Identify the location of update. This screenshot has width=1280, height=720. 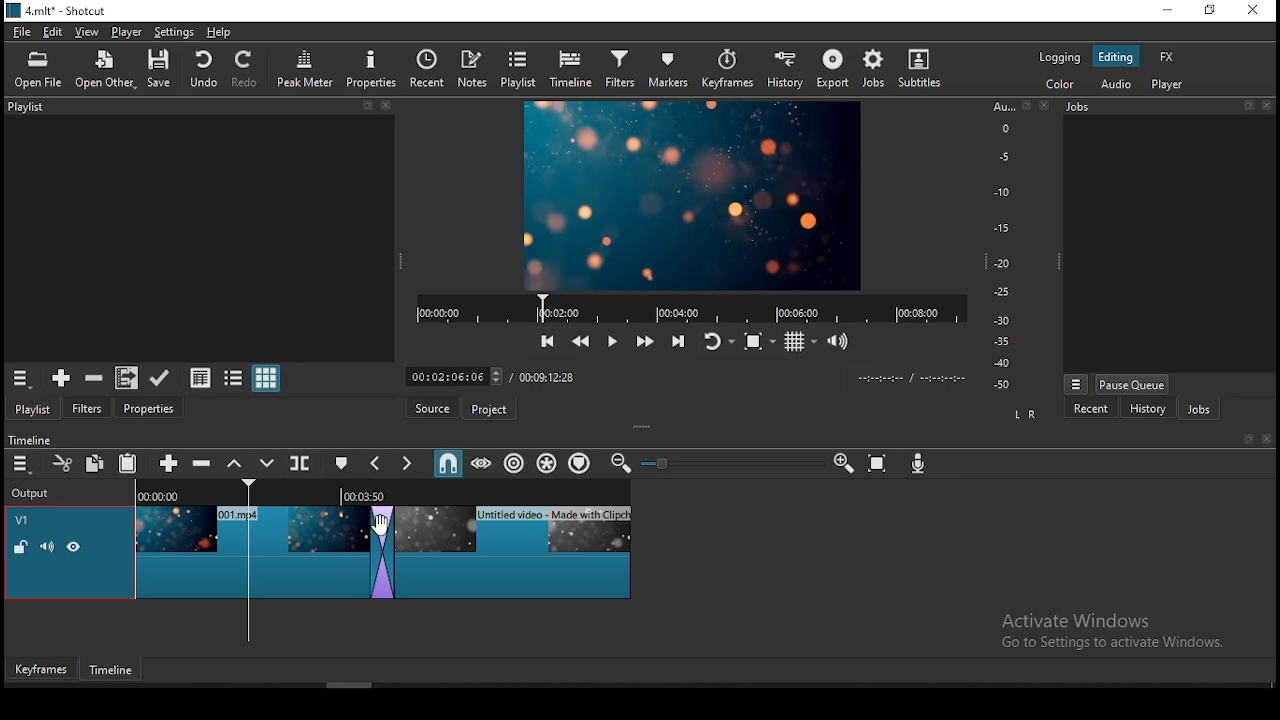
(159, 376).